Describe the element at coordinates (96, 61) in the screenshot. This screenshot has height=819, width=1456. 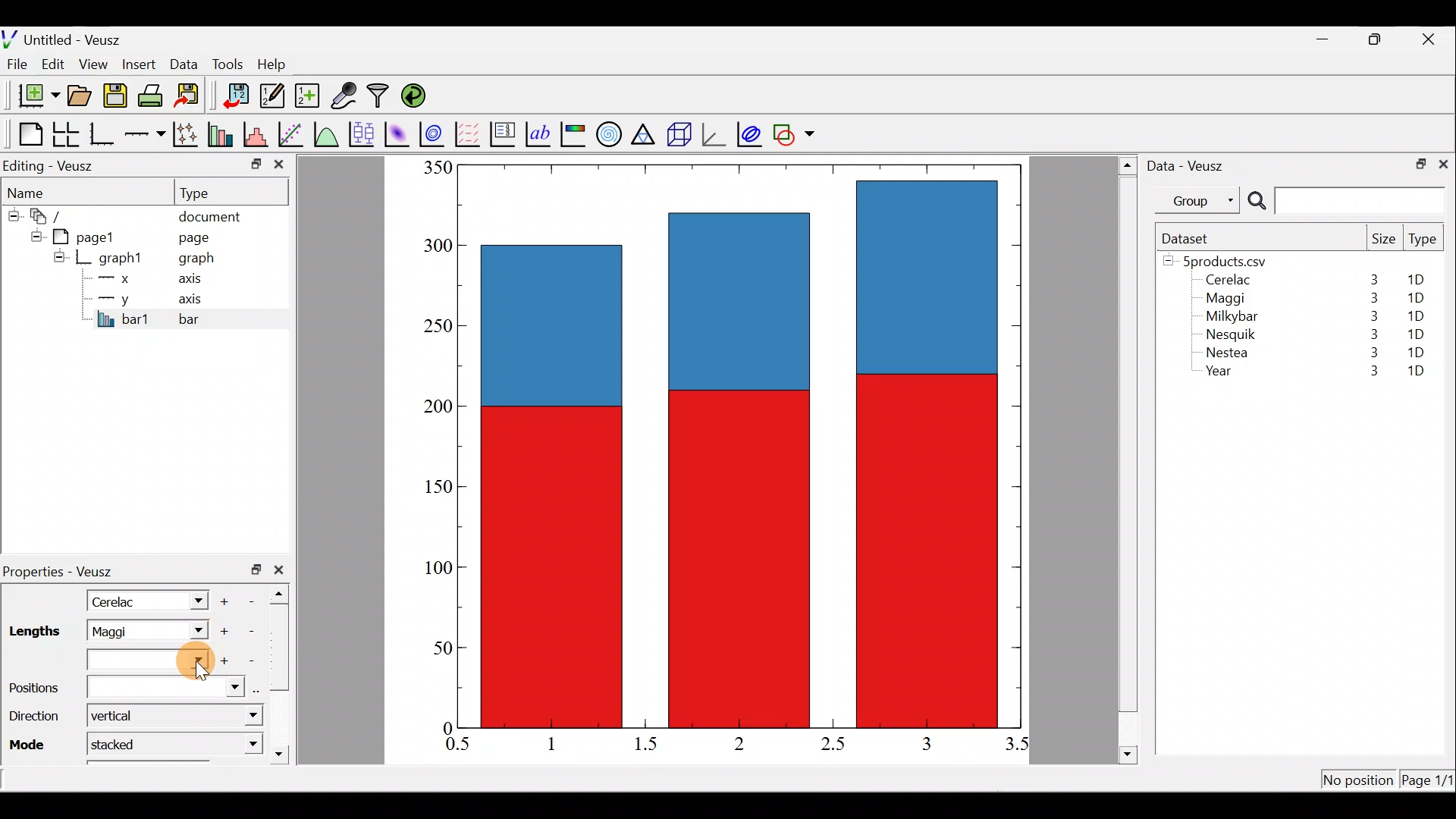
I see `View` at that location.